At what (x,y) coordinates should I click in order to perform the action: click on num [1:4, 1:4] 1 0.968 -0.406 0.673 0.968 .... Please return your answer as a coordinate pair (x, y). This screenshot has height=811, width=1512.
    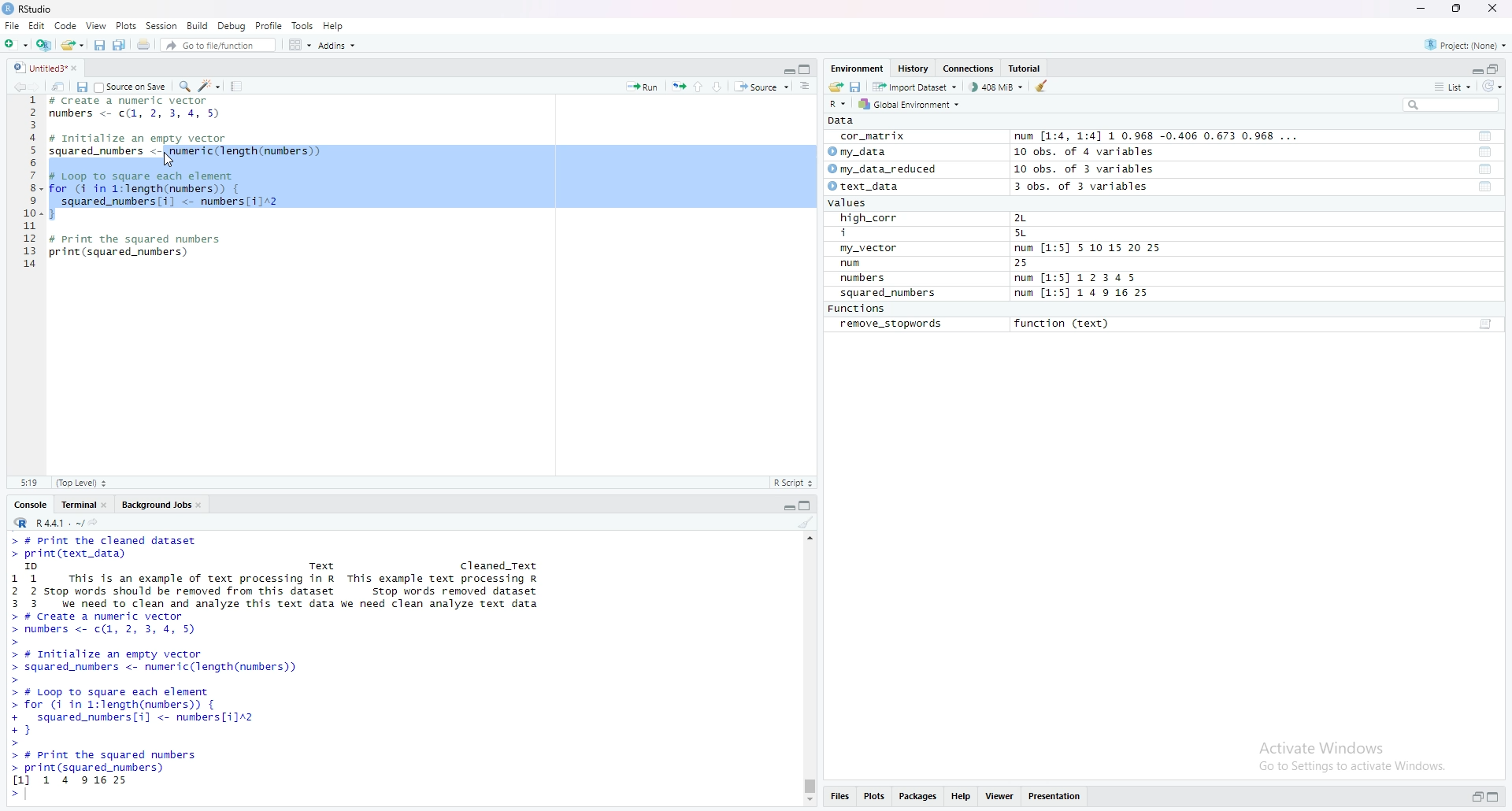
    Looking at the image, I should click on (1158, 137).